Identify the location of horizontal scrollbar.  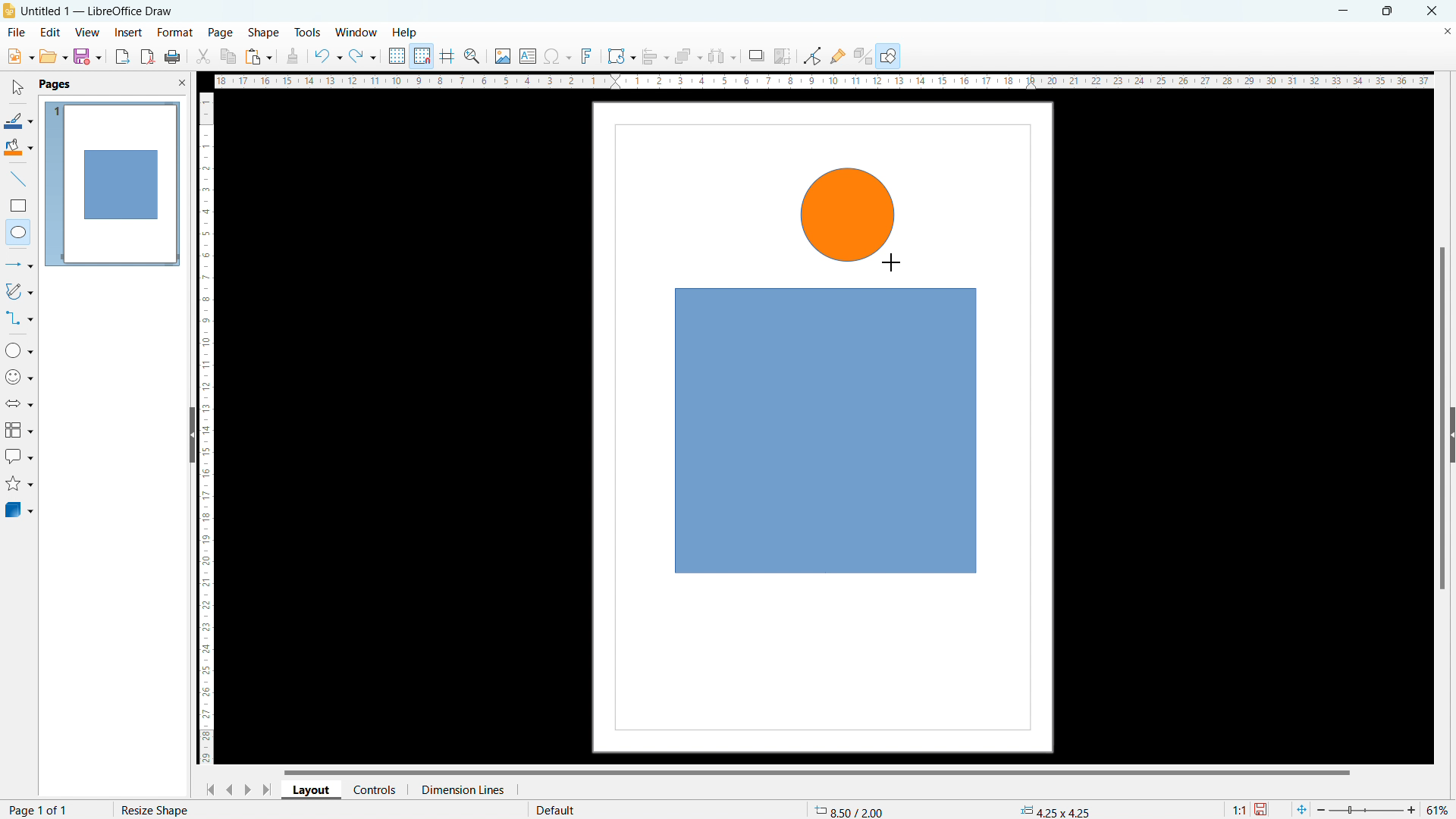
(817, 771).